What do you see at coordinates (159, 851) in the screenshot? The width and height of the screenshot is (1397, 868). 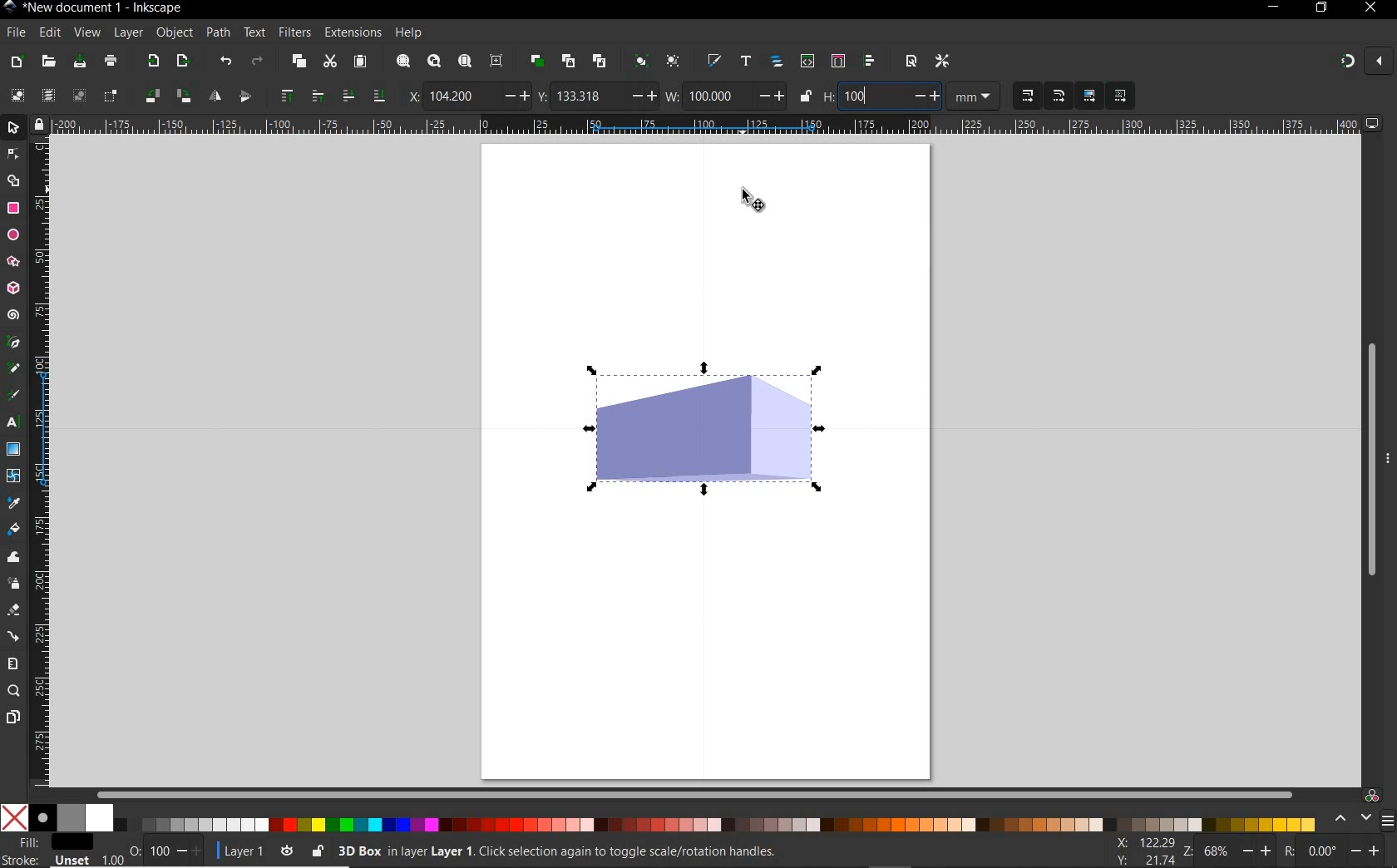 I see `100` at bounding box center [159, 851].